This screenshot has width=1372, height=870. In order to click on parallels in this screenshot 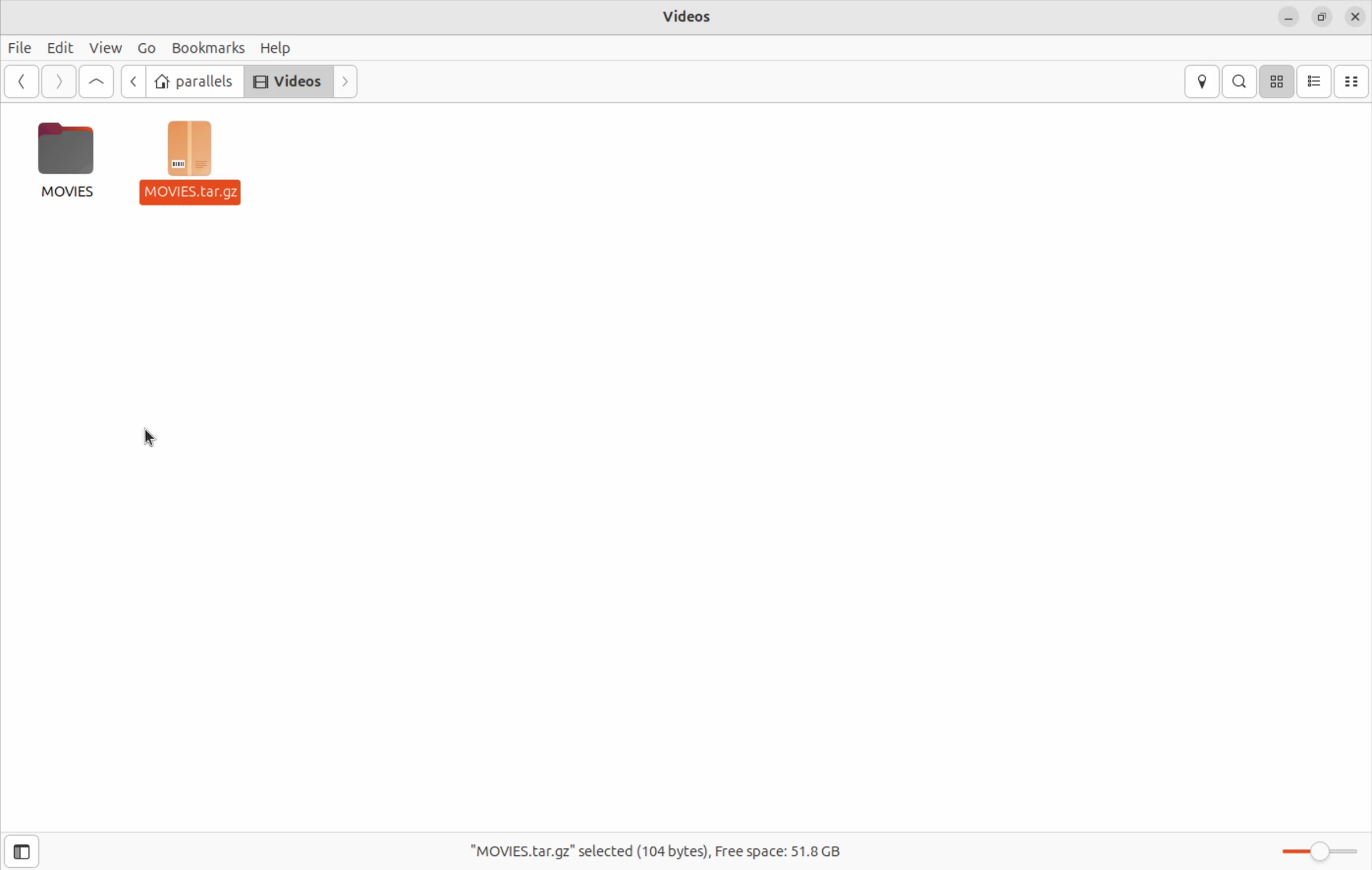, I will do `click(194, 83)`.